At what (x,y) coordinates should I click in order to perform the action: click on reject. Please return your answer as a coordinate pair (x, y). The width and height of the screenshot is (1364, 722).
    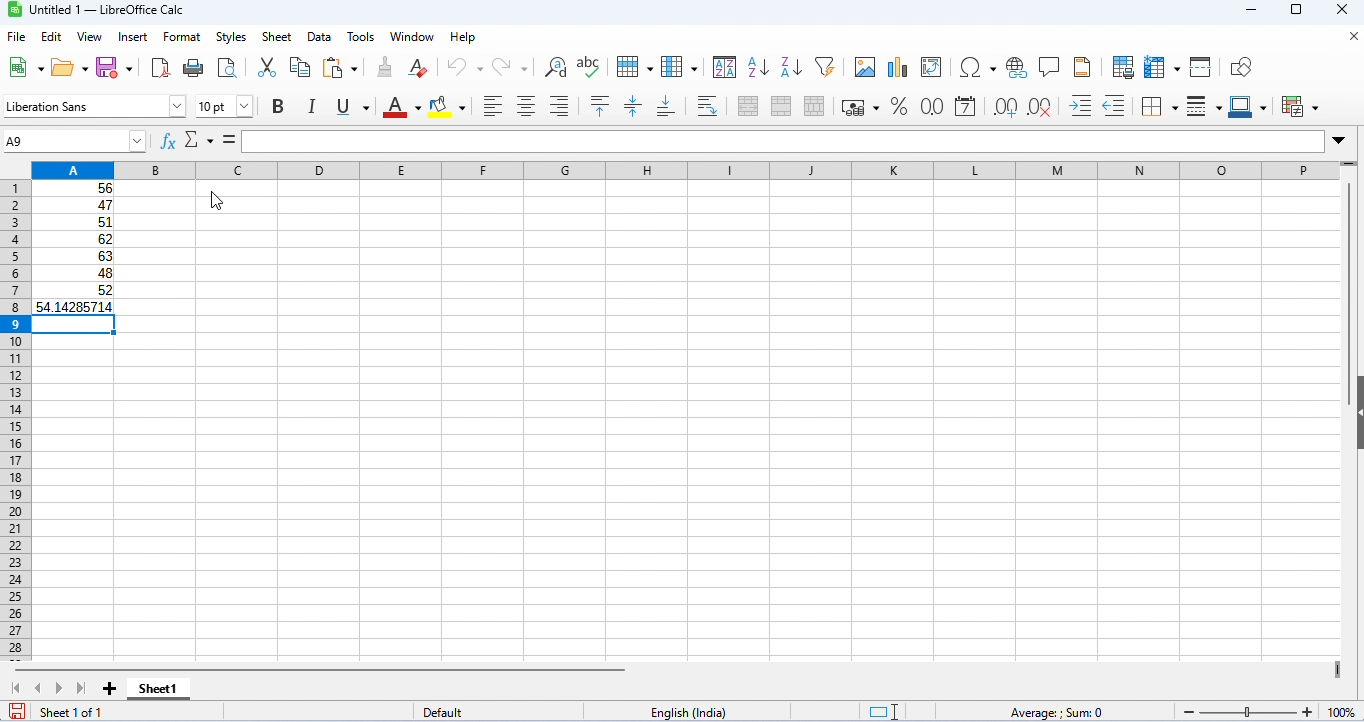
    Looking at the image, I should click on (193, 138).